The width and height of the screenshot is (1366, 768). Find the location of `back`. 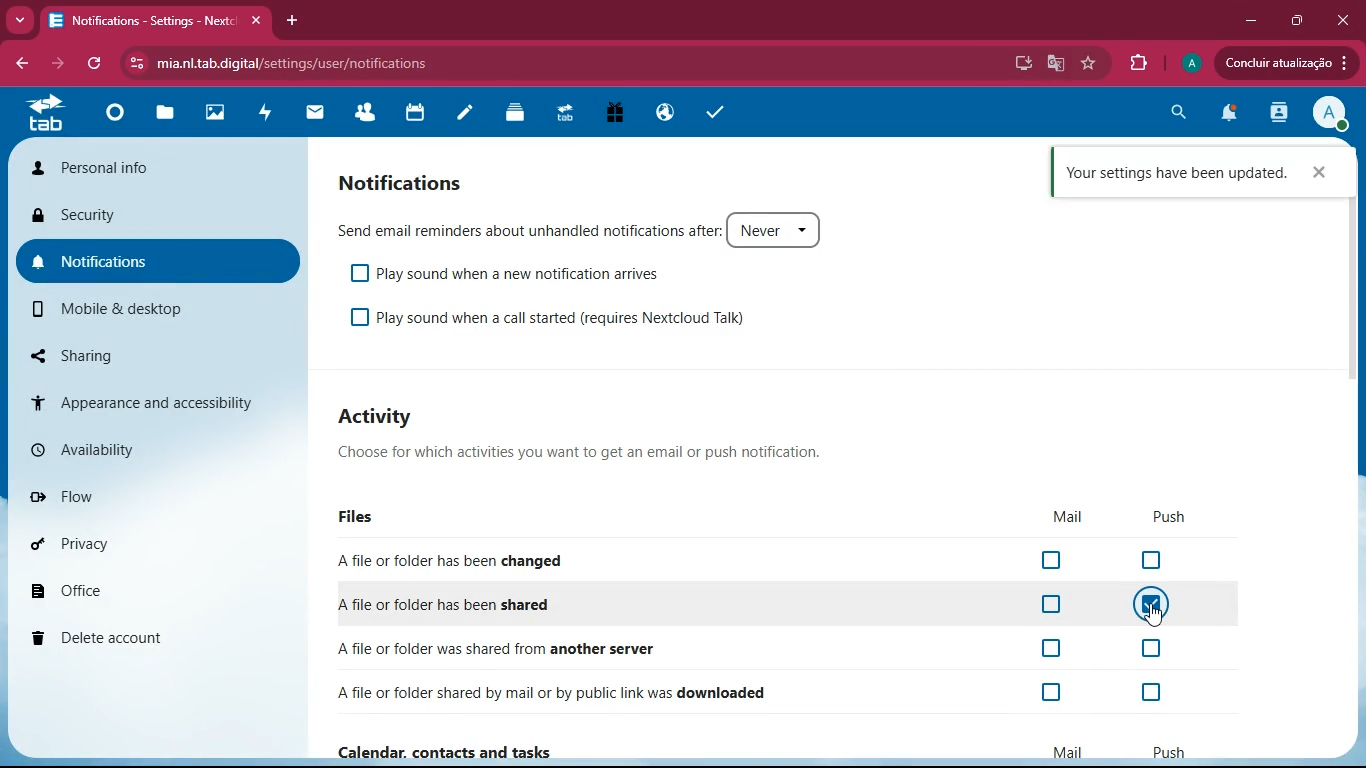

back is located at coordinates (25, 63).